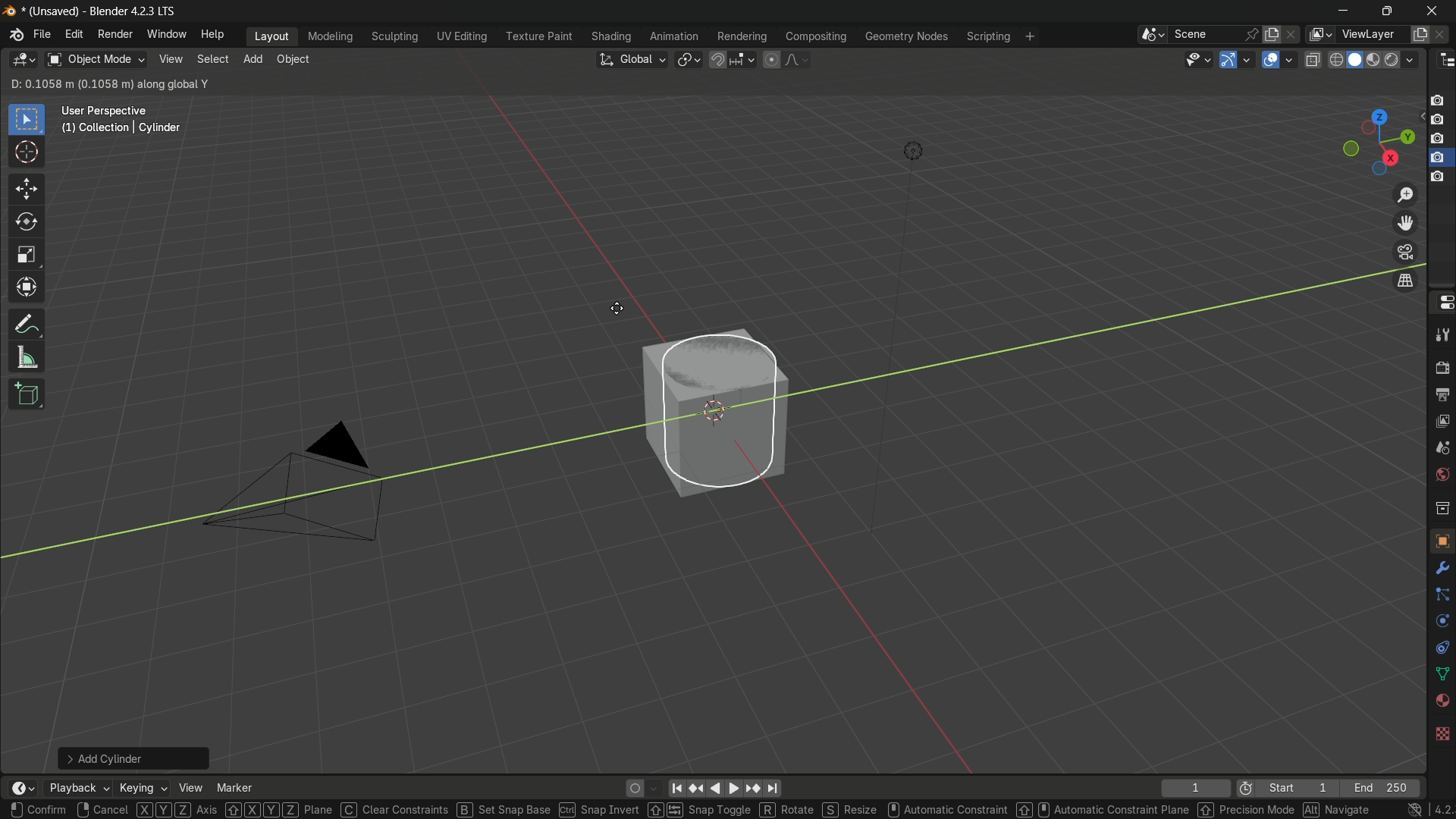 This screenshot has width=1456, height=819. What do you see at coordinates (796, 60) in the screenshot?
I see `proportional editing falloff` at bounding box center [796, 60].